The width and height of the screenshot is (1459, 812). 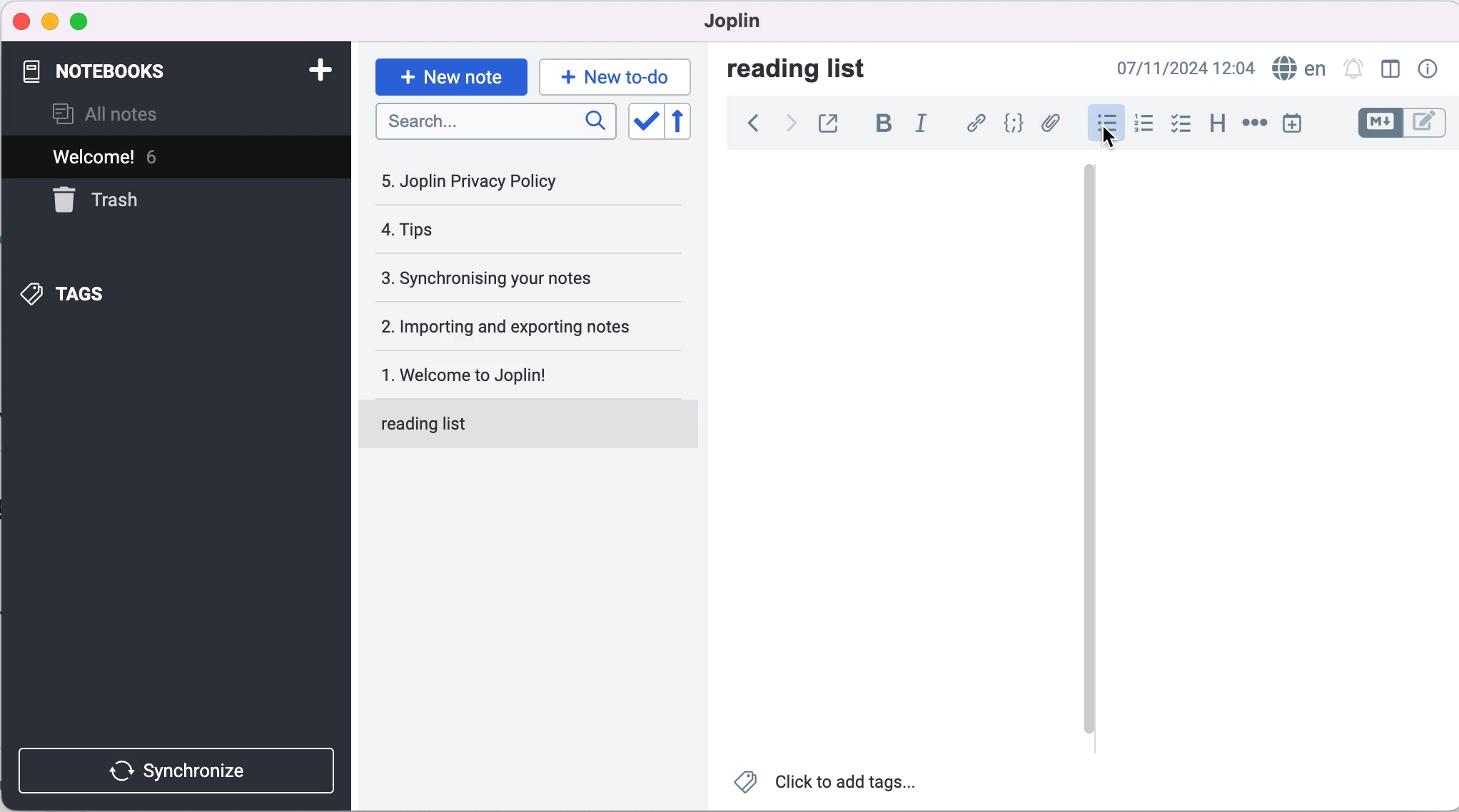 I want to click on italic, so click(x=924, y=123).